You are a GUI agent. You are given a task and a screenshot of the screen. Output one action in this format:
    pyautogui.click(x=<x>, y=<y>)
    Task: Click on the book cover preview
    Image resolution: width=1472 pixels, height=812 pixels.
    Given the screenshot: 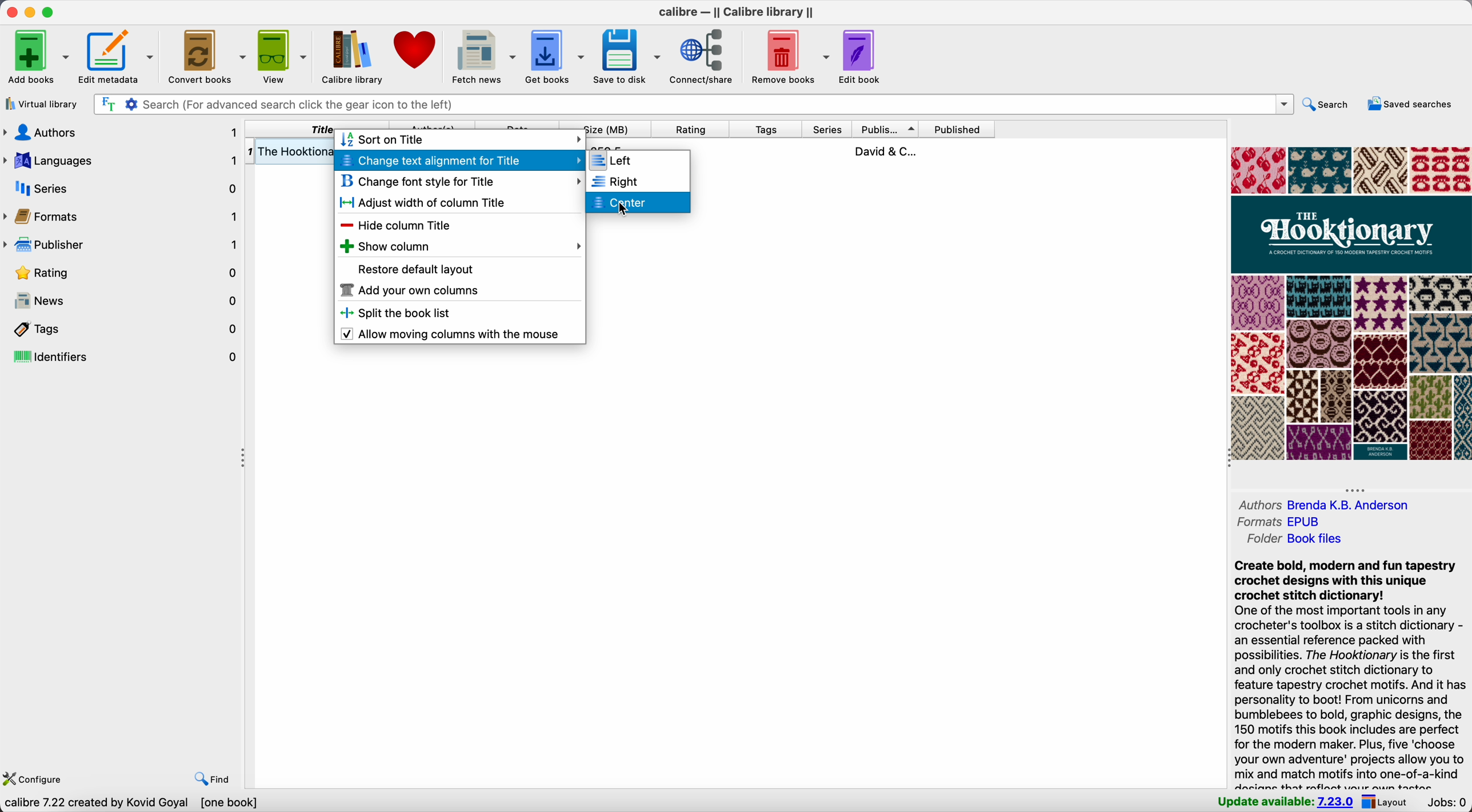 What is the action you would take?
    pyautogui.click(x=1350, y=303)
    